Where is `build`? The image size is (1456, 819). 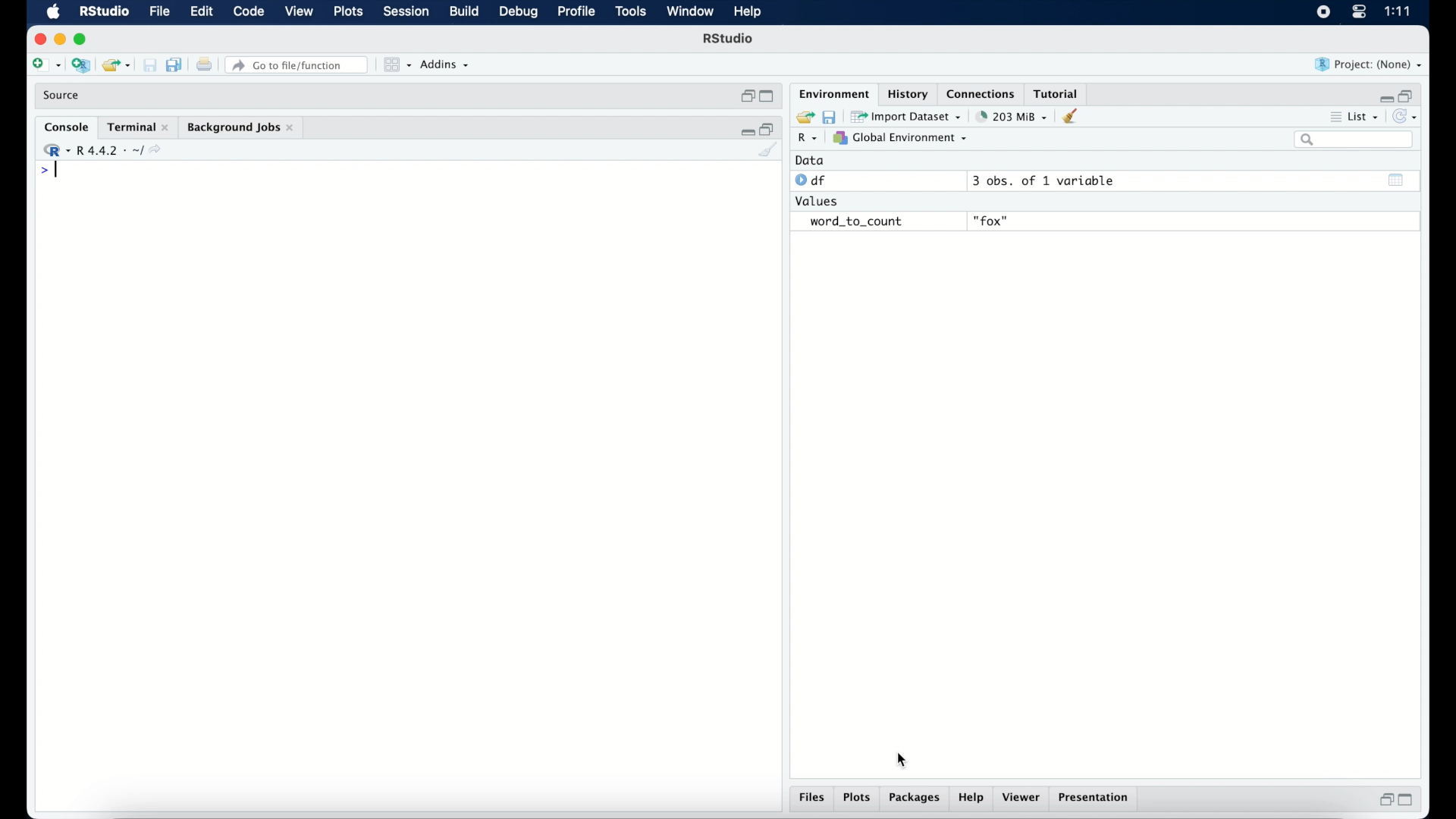 build is located at coordinates (463, 11).